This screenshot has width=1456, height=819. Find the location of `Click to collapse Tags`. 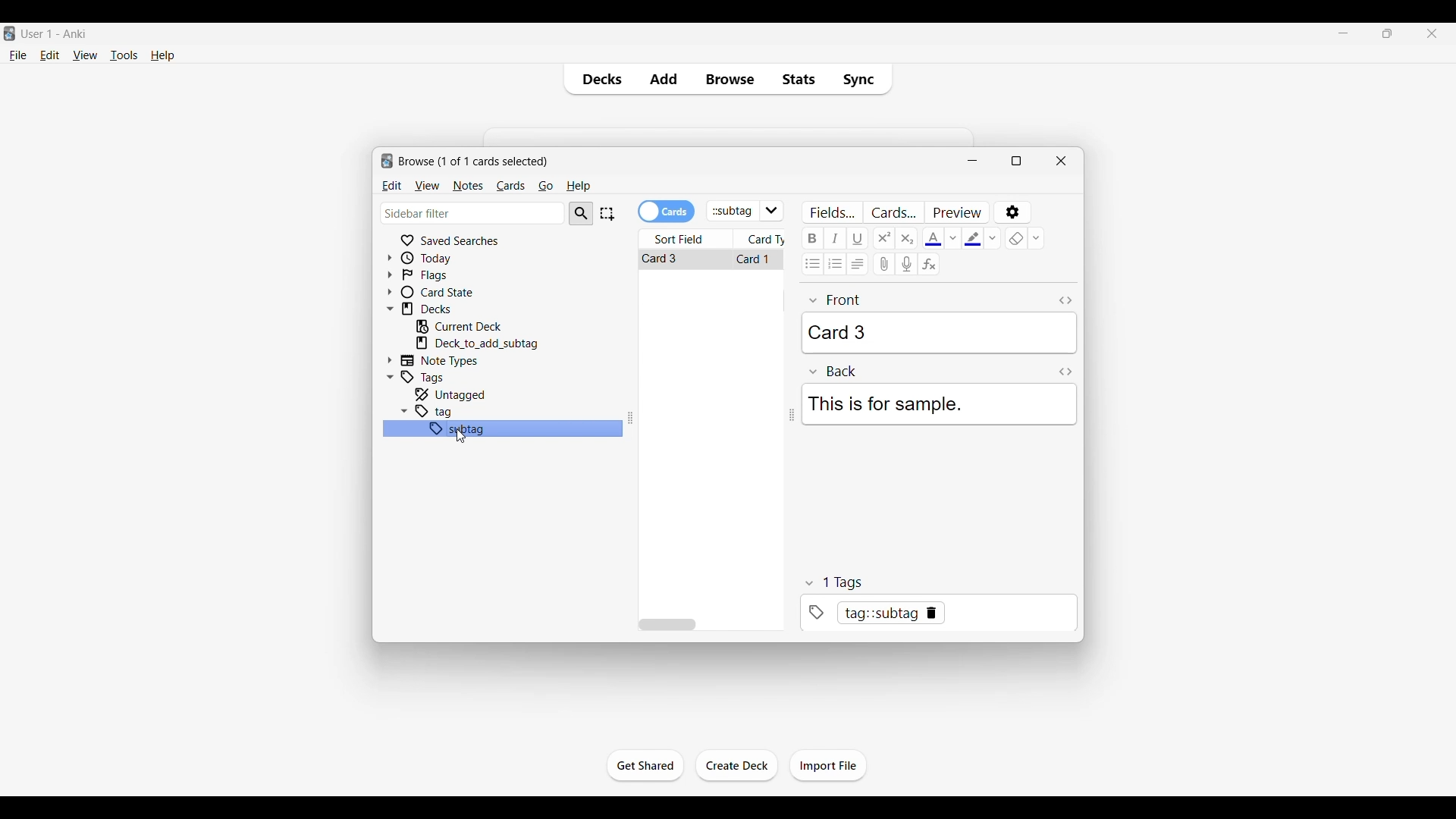

Click to collapse Tags is located at coordinates (390, 377).